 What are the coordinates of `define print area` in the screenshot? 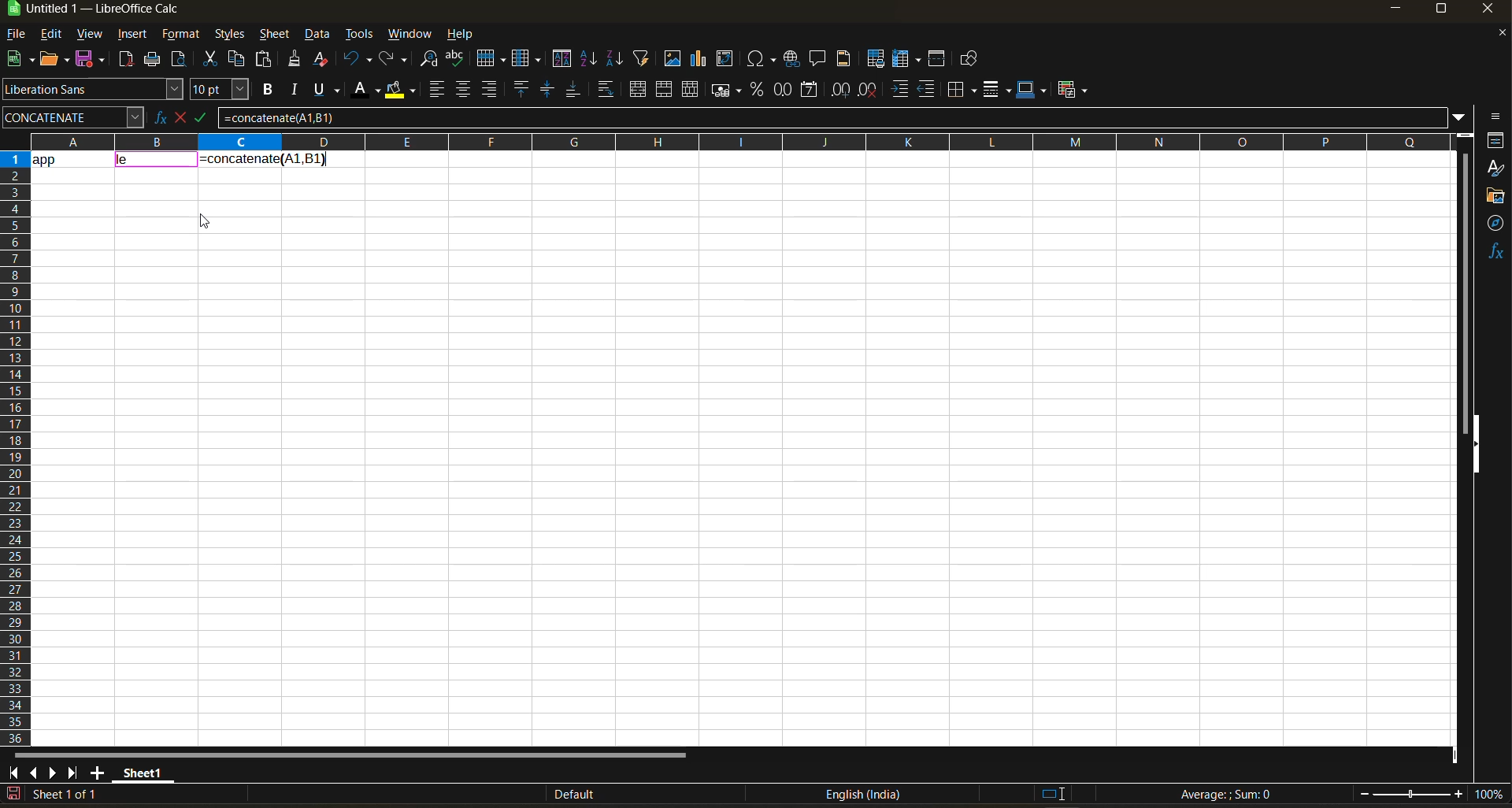 It's located at (875, 59).